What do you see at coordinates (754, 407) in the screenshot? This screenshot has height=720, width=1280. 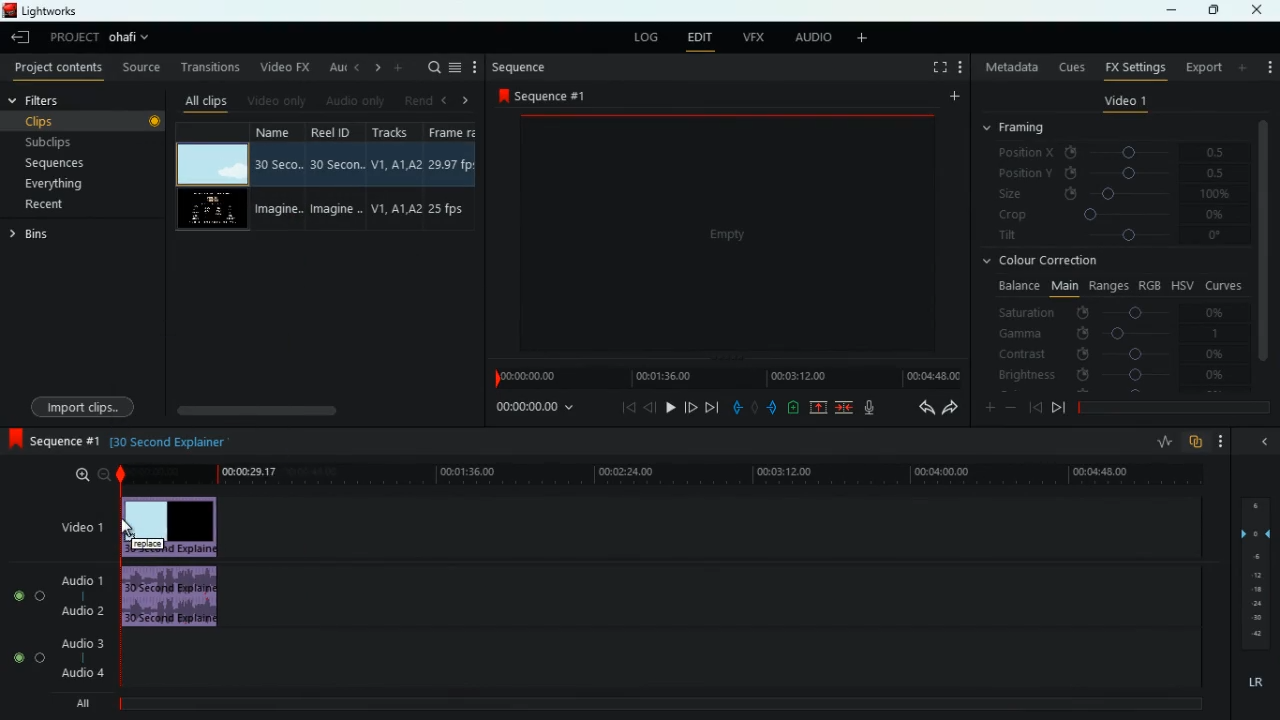 I see `hold` at bounding box center [754, 407].